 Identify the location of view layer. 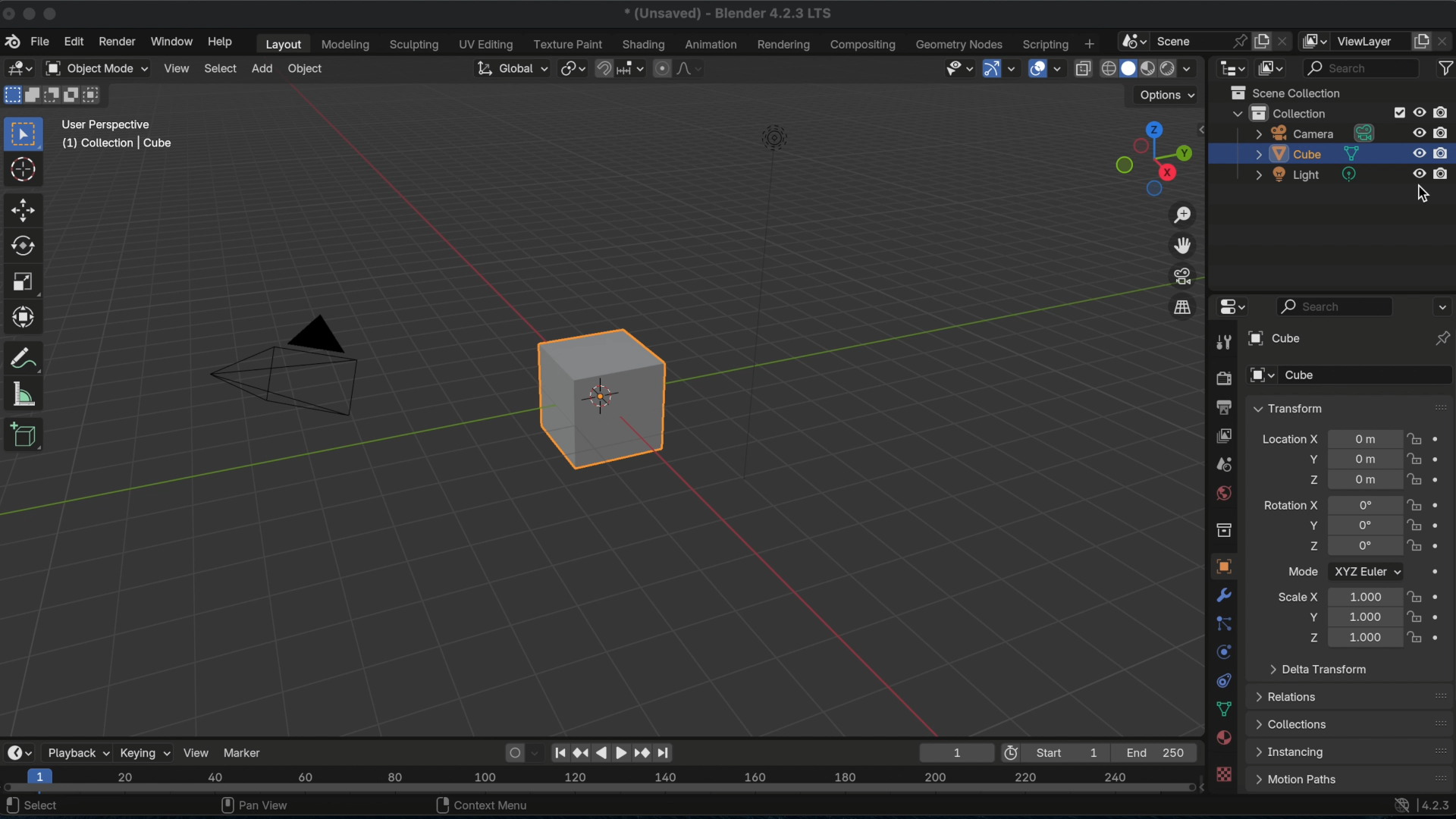
(1372, 41).